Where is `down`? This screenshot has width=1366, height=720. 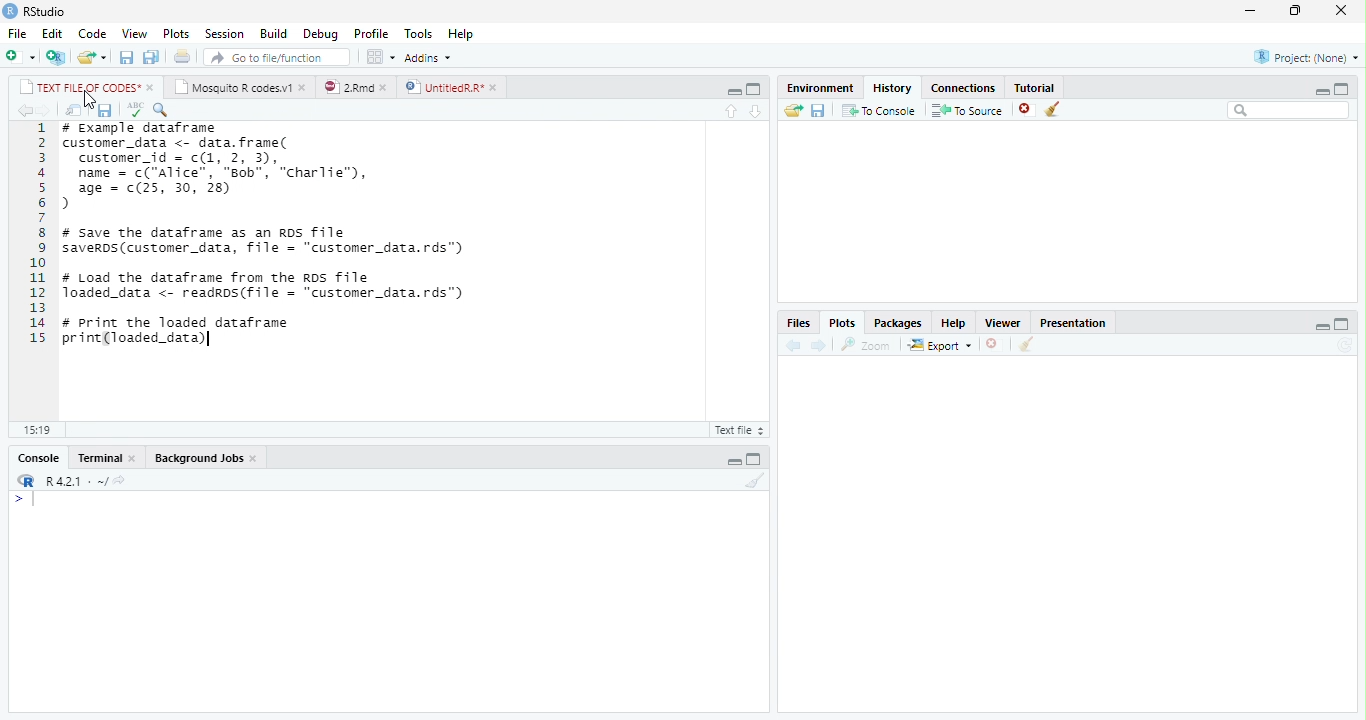 down is located at coordinates (756, 110).